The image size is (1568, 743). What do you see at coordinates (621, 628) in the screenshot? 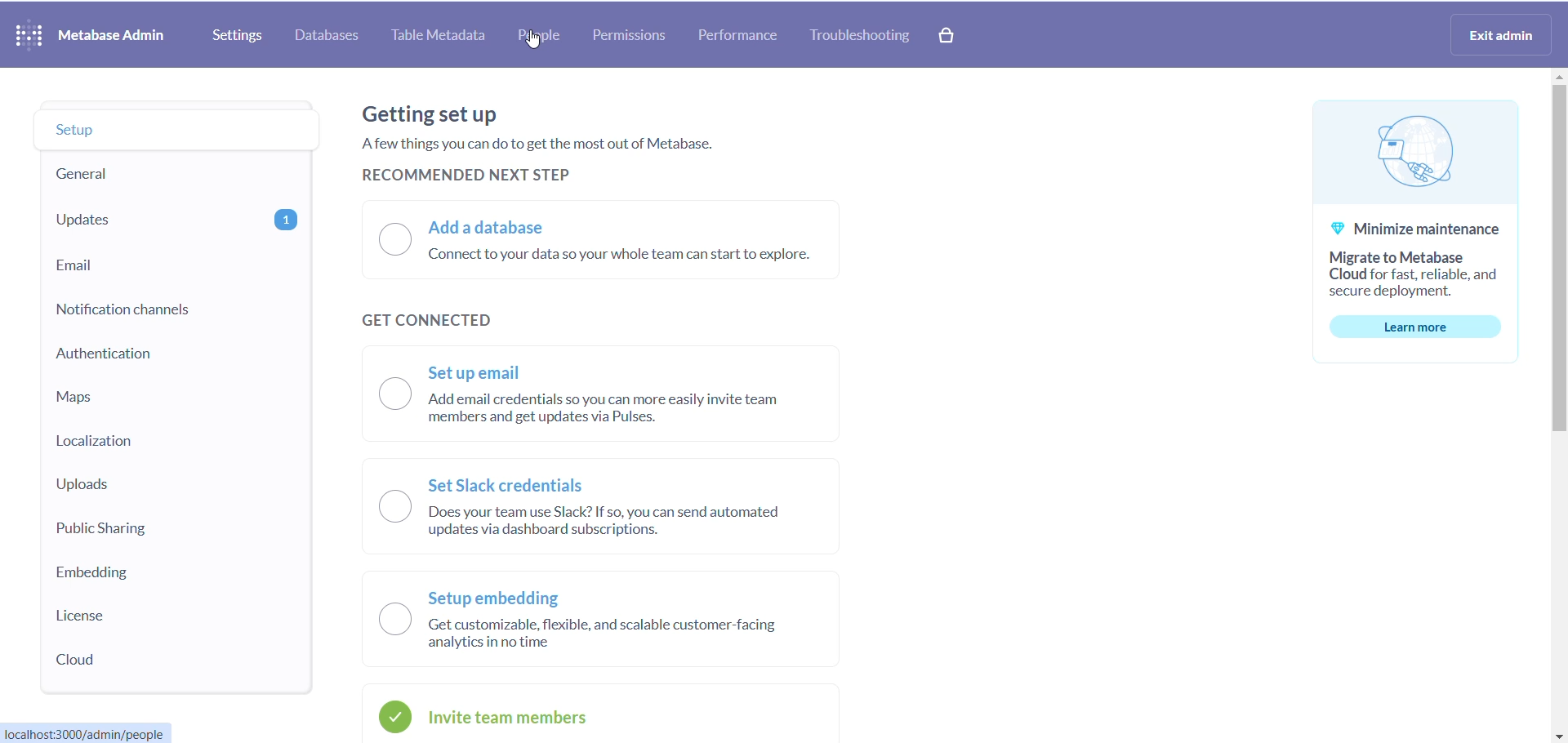
I see `setup embedding radio button` at bounding box center [621, 628].